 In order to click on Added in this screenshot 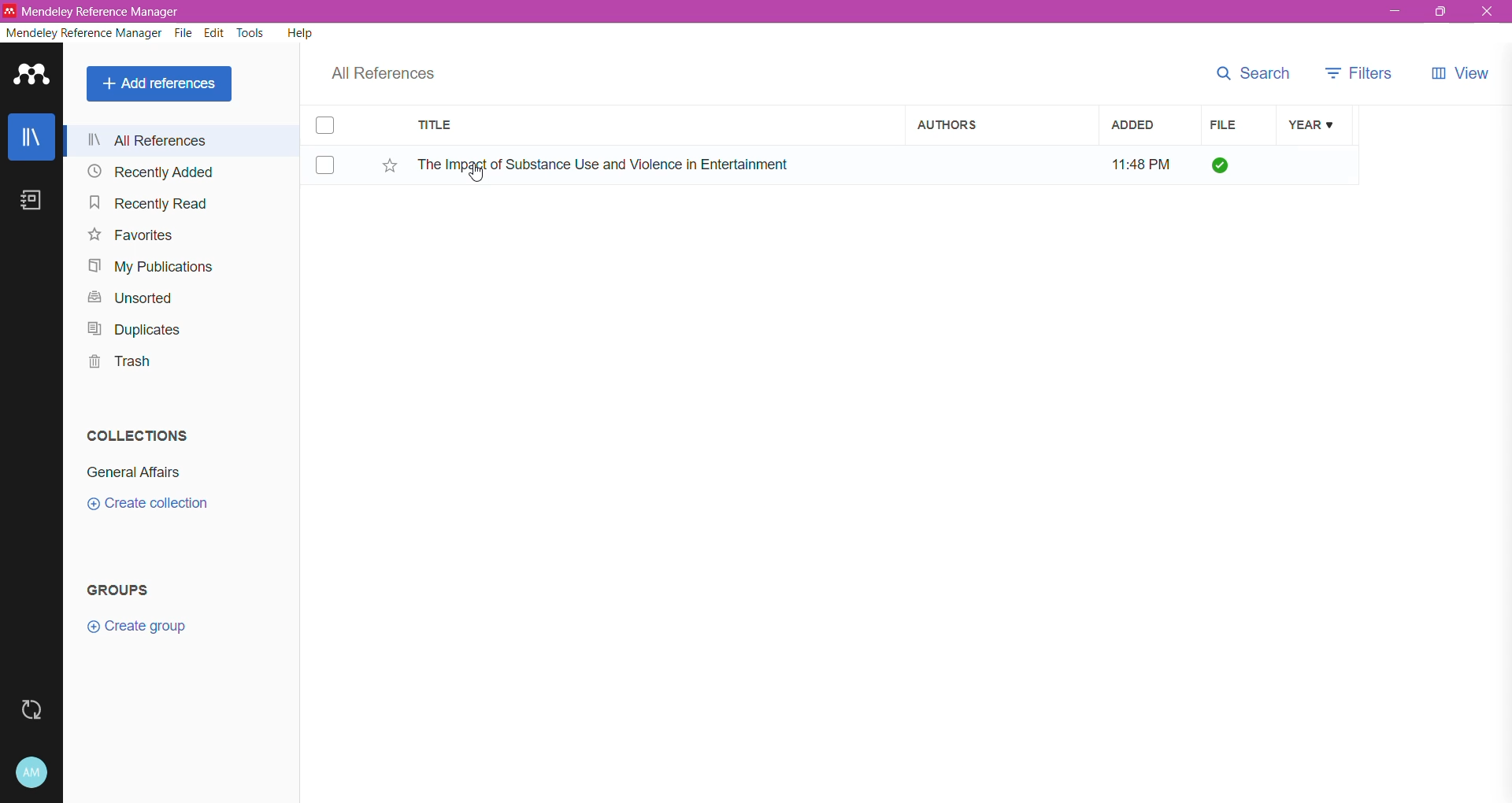, I will do `click(1149, 126)`.